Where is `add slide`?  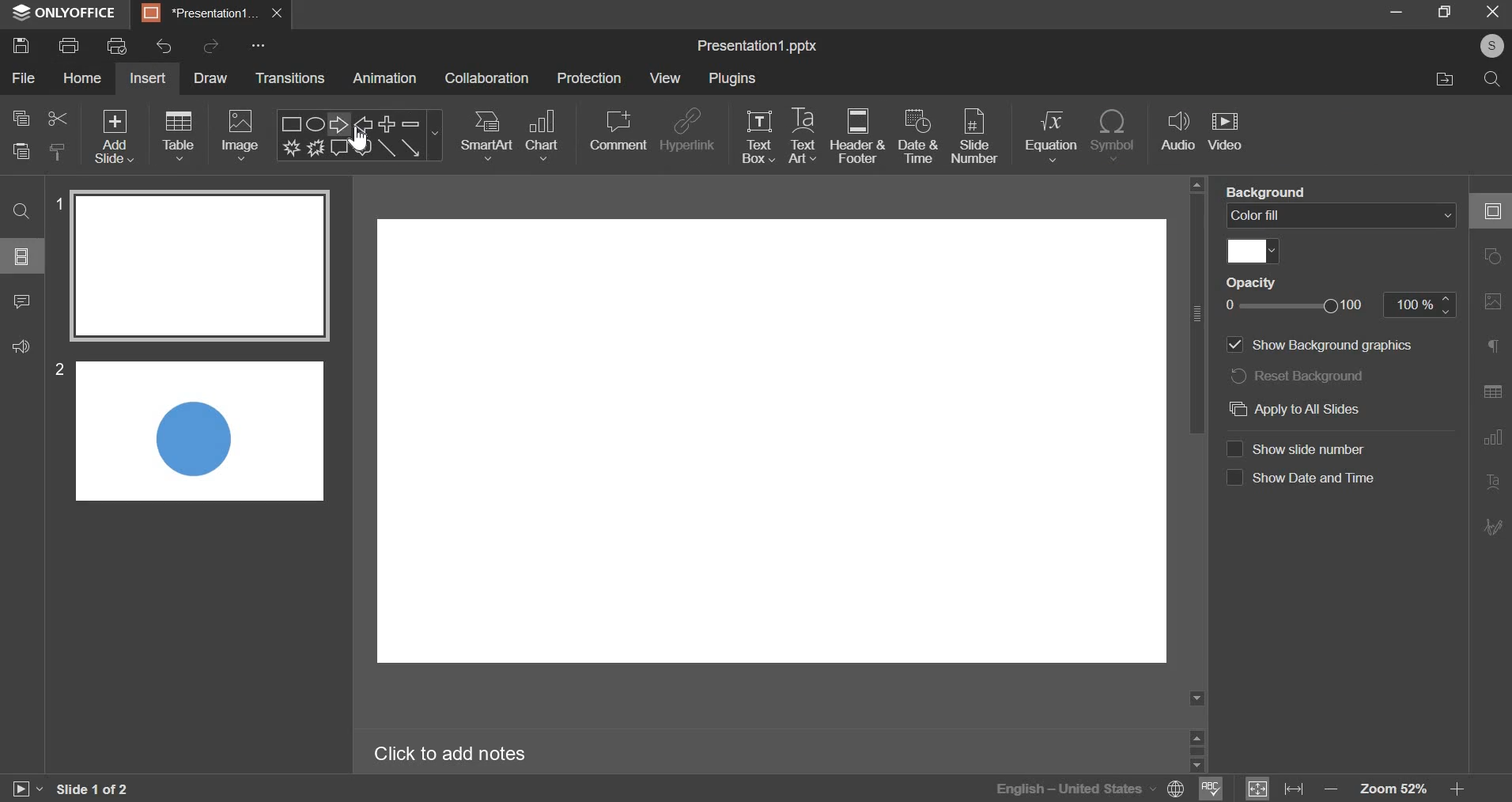
add slide is located at coordinates (115, 136).